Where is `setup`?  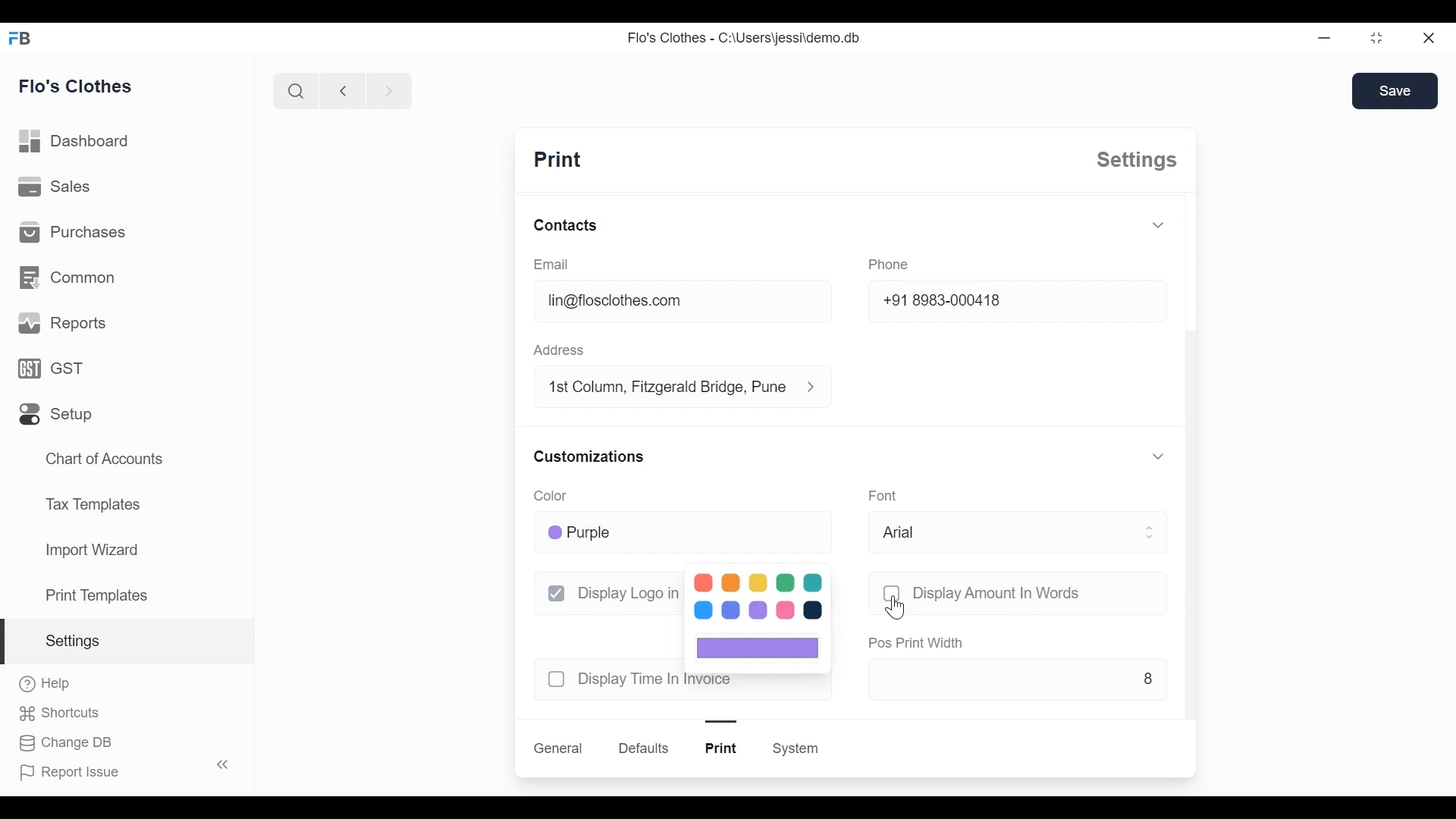
setup is located at coordinates (56, 415).